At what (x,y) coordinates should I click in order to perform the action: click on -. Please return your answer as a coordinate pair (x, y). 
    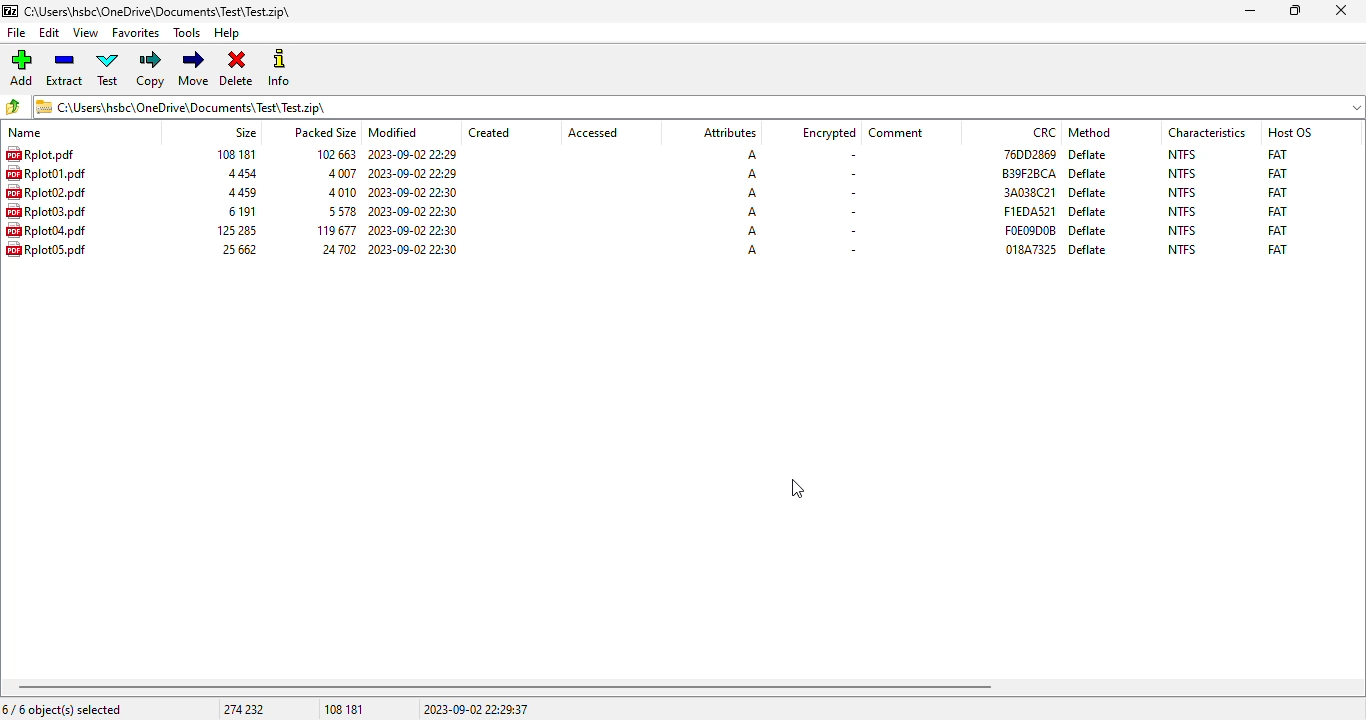
    Looking at the image, I should click on (852, 174).